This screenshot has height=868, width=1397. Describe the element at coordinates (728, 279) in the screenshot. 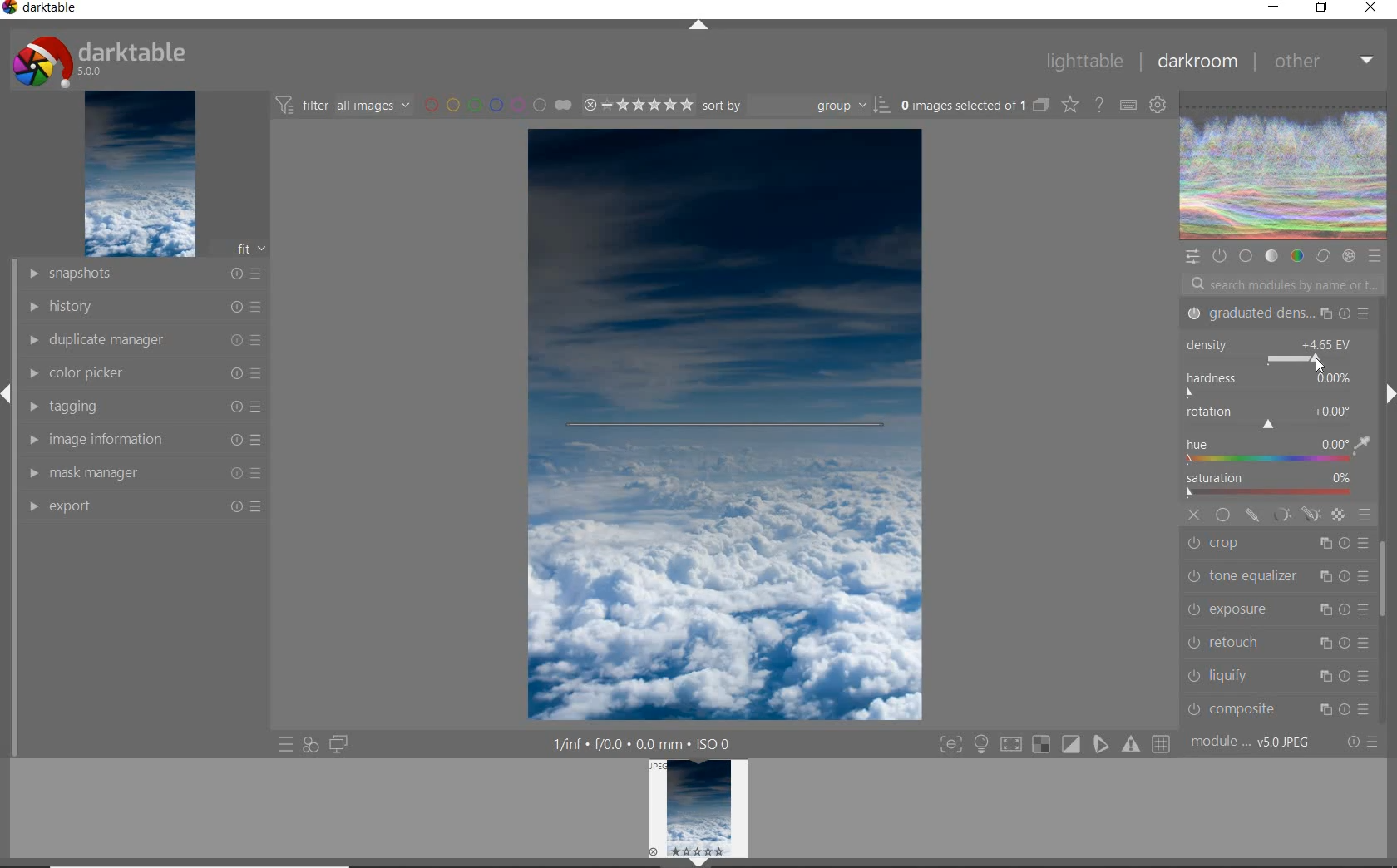

I see `DARKENNED SKY` at that location.